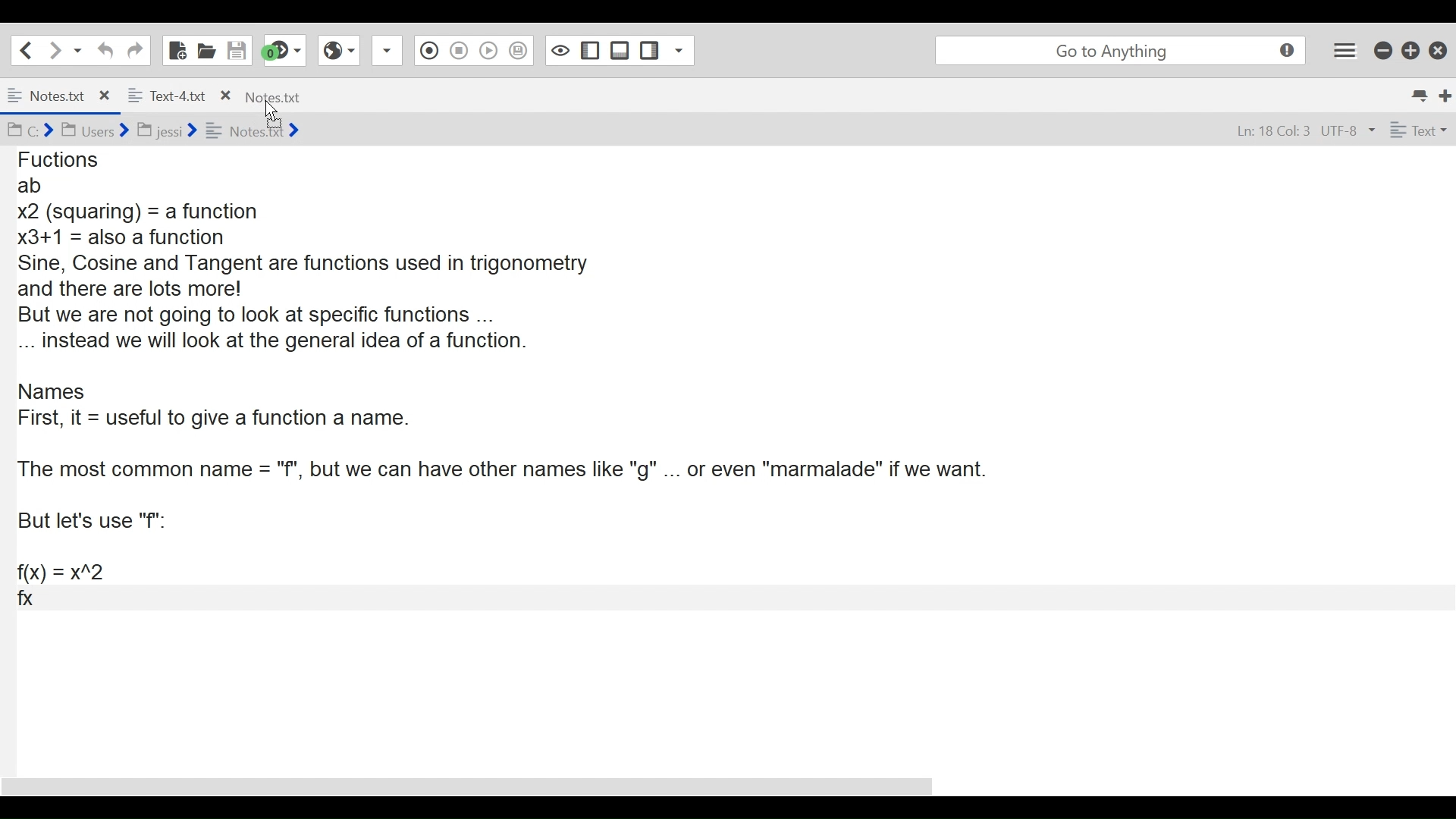  What do you see at coordinates (271, 99) in the screenshot?
I see `notes.txt` at bounding box center [271, 99].